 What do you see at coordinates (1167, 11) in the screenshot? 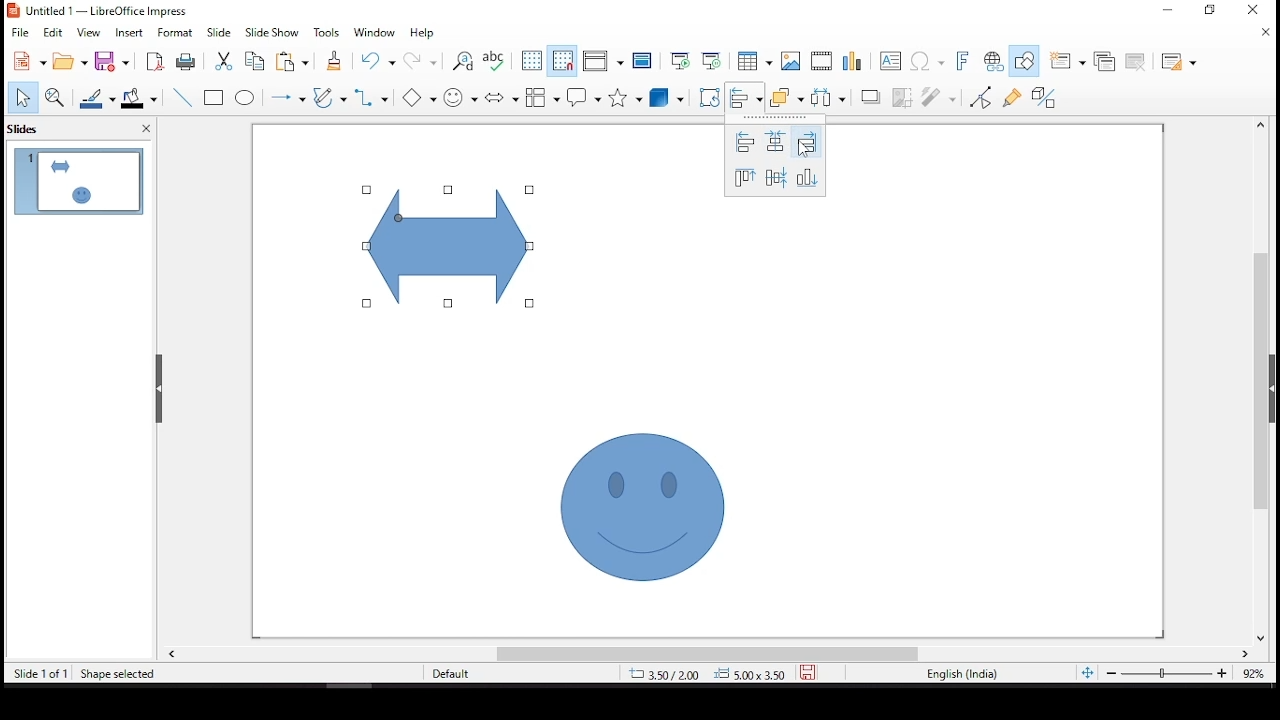
I see `restore` at bounding box center [1167, 11].